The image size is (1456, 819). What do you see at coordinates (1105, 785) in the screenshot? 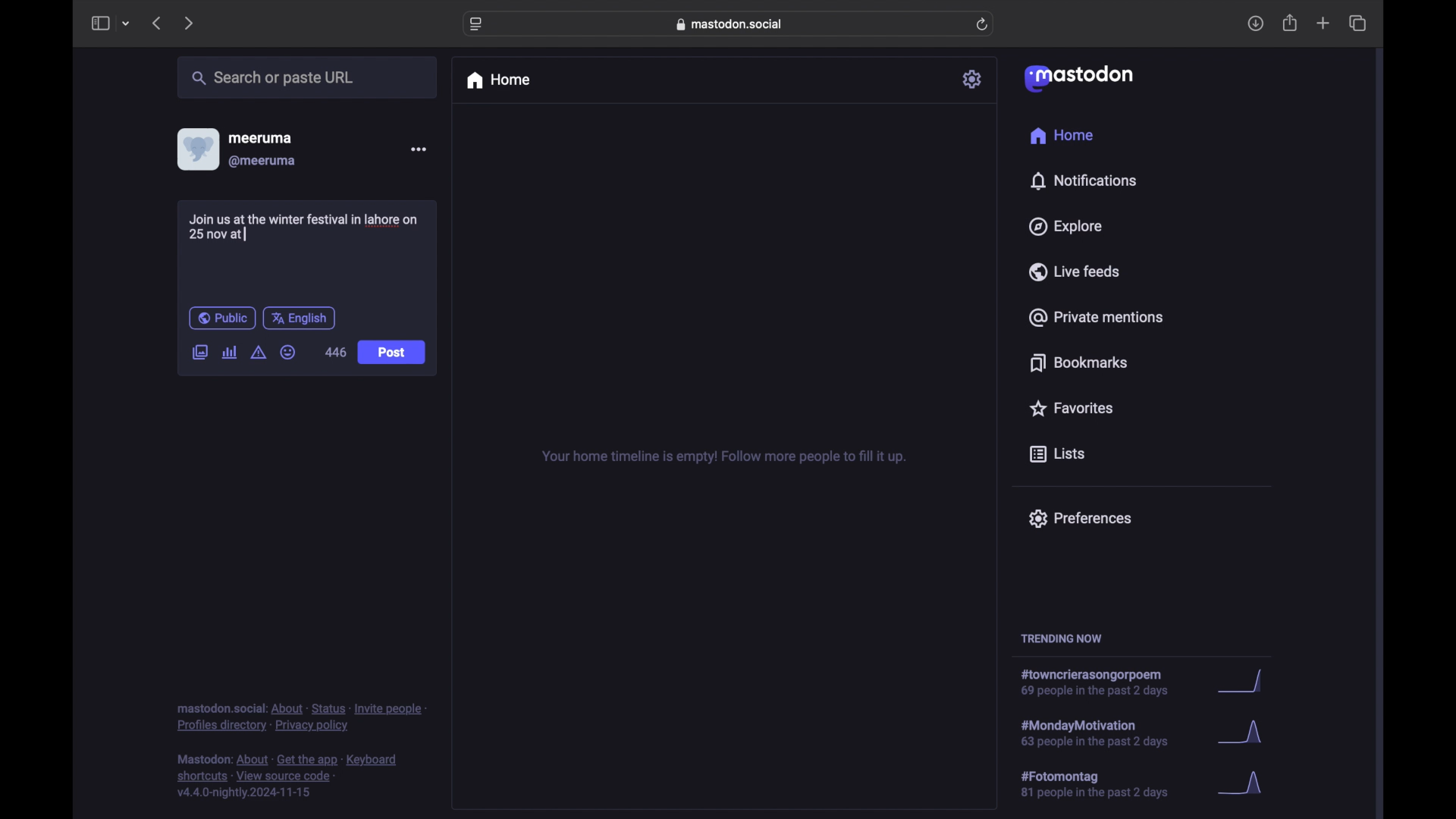
I see `hashtag trend` at bounding box center [1105, 785].